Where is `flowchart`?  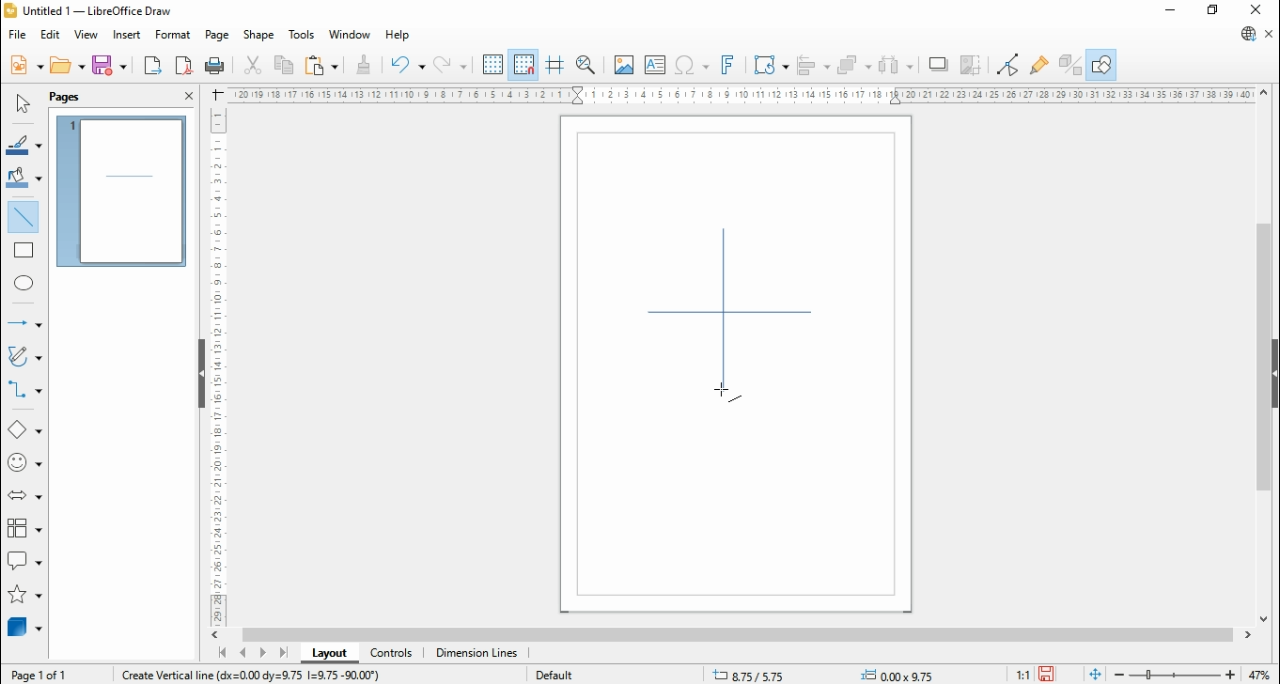 flowchart is located at coordinates (24, 529).